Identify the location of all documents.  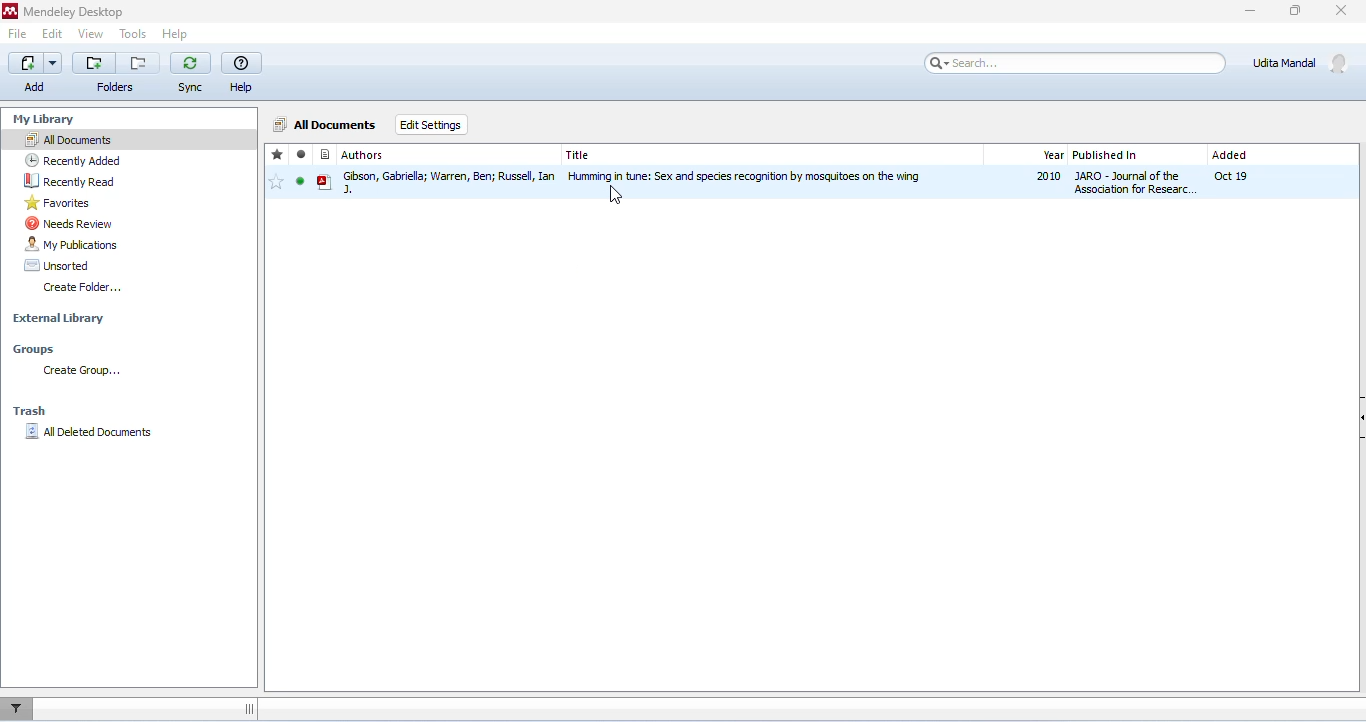
(69, 140).